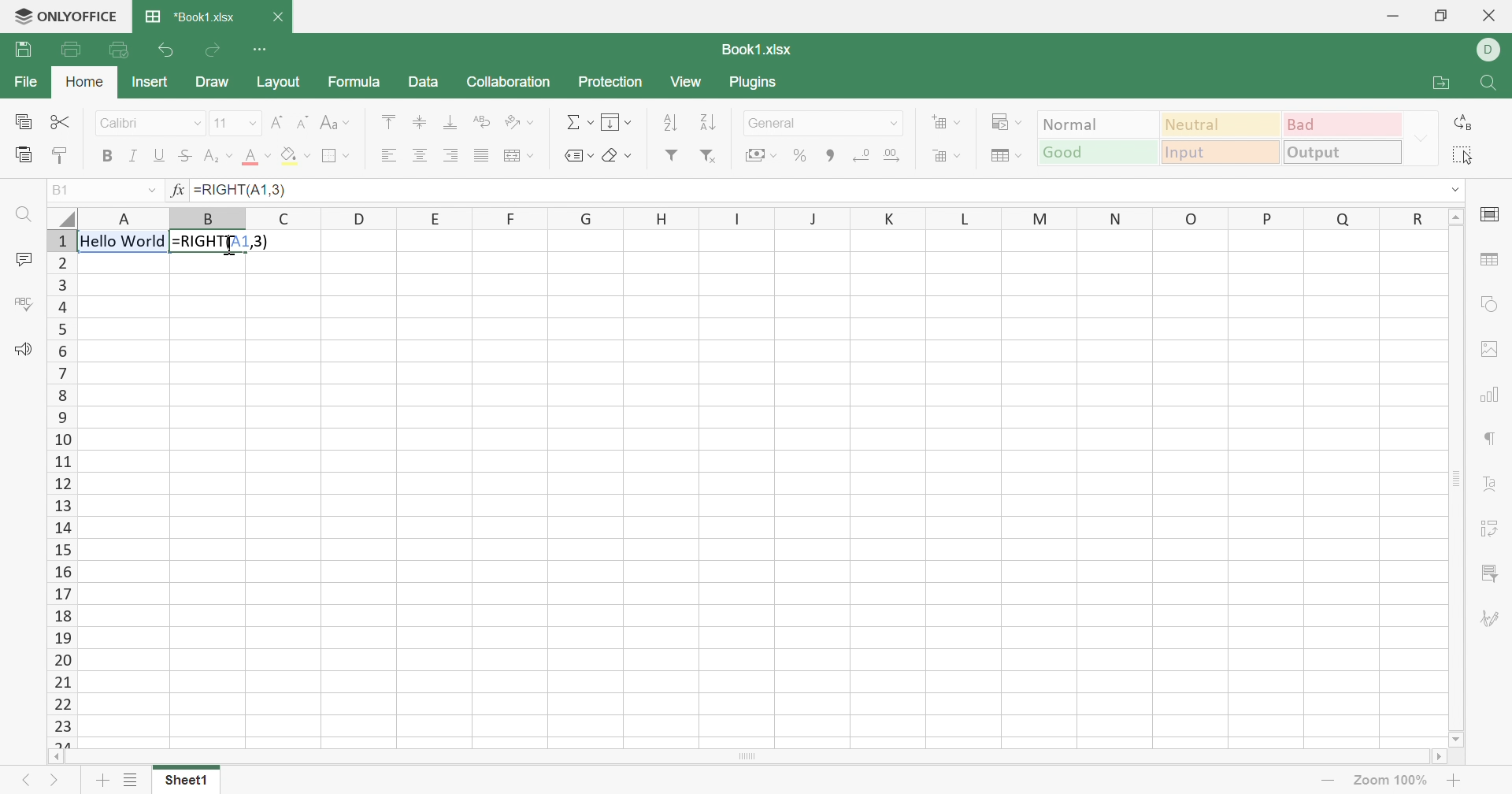  Describe the element at coordinates (26, 154) in the screenshot. I see `Paste` at that location.